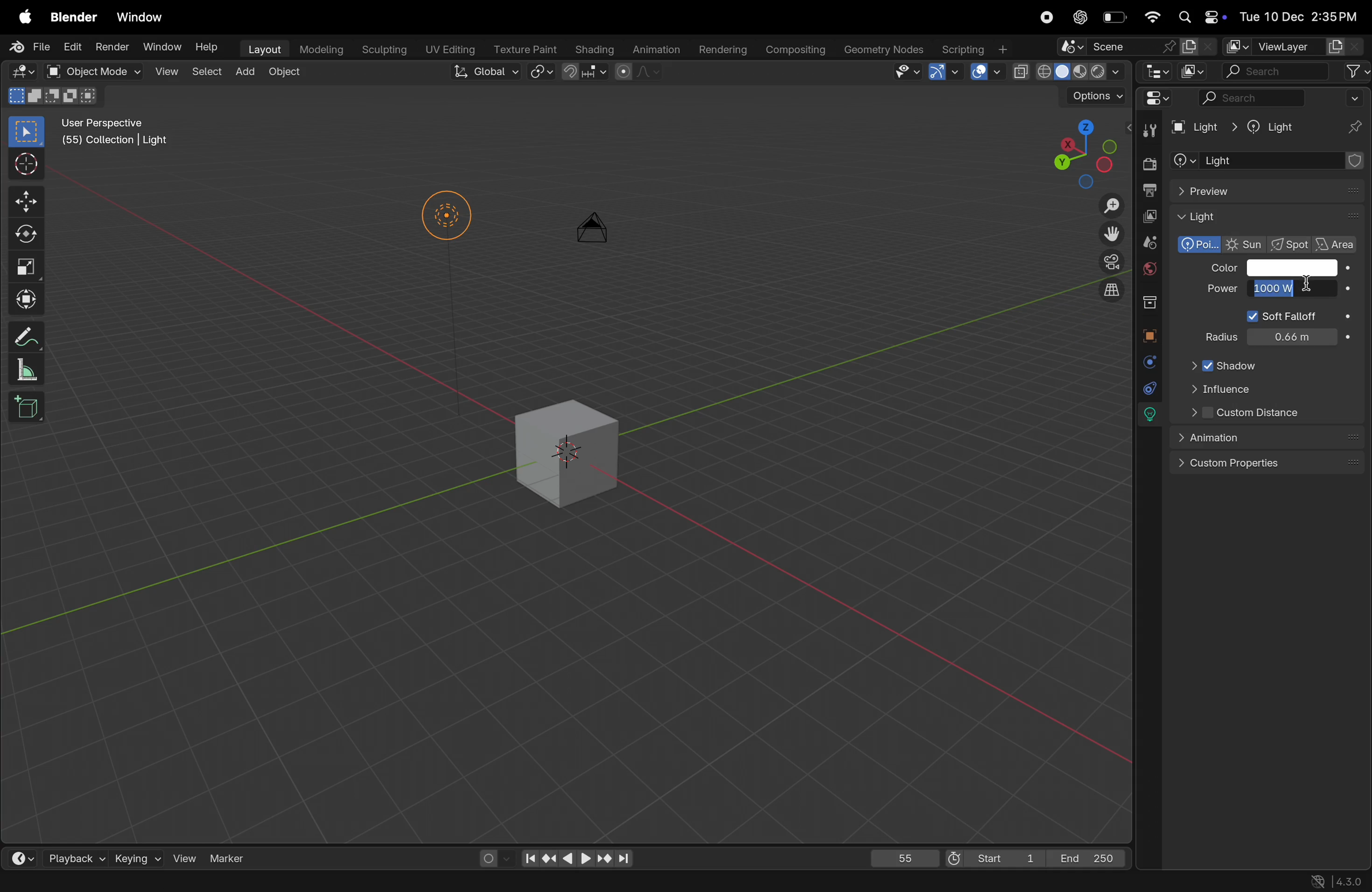 This screenshot has width=1372, height=892. What do you see at coordinates (1149, 129) in the screenshot?
I see `tools` at bounding box center [1149, 129].